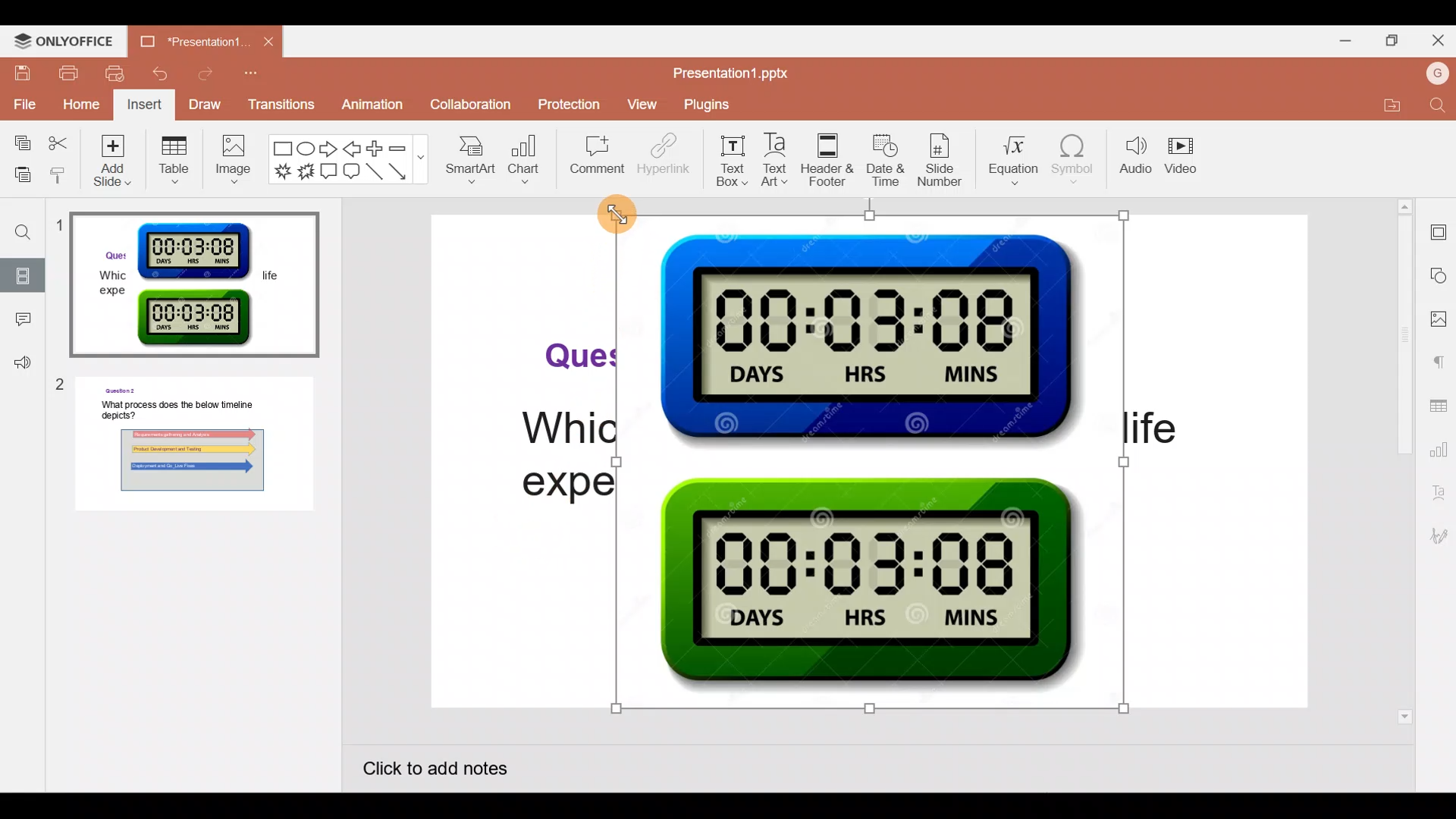 Image resolution: width=1456 pixels, height=819 pixels. I want to click on ONLYOFFICE, so click(72, 42).